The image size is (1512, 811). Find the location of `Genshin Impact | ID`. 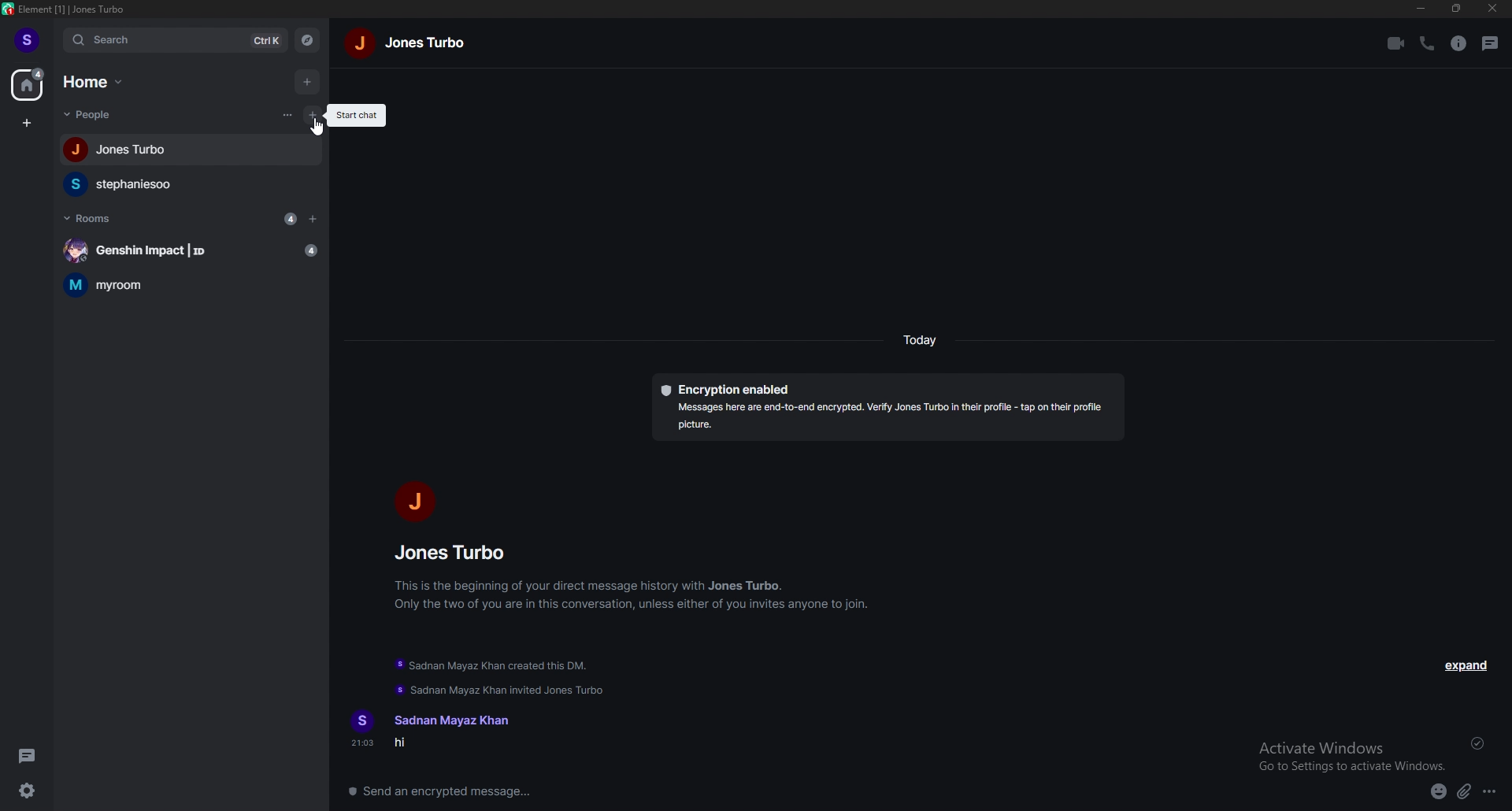

Genshin Impact | ID is located at coordinates (187, 249).